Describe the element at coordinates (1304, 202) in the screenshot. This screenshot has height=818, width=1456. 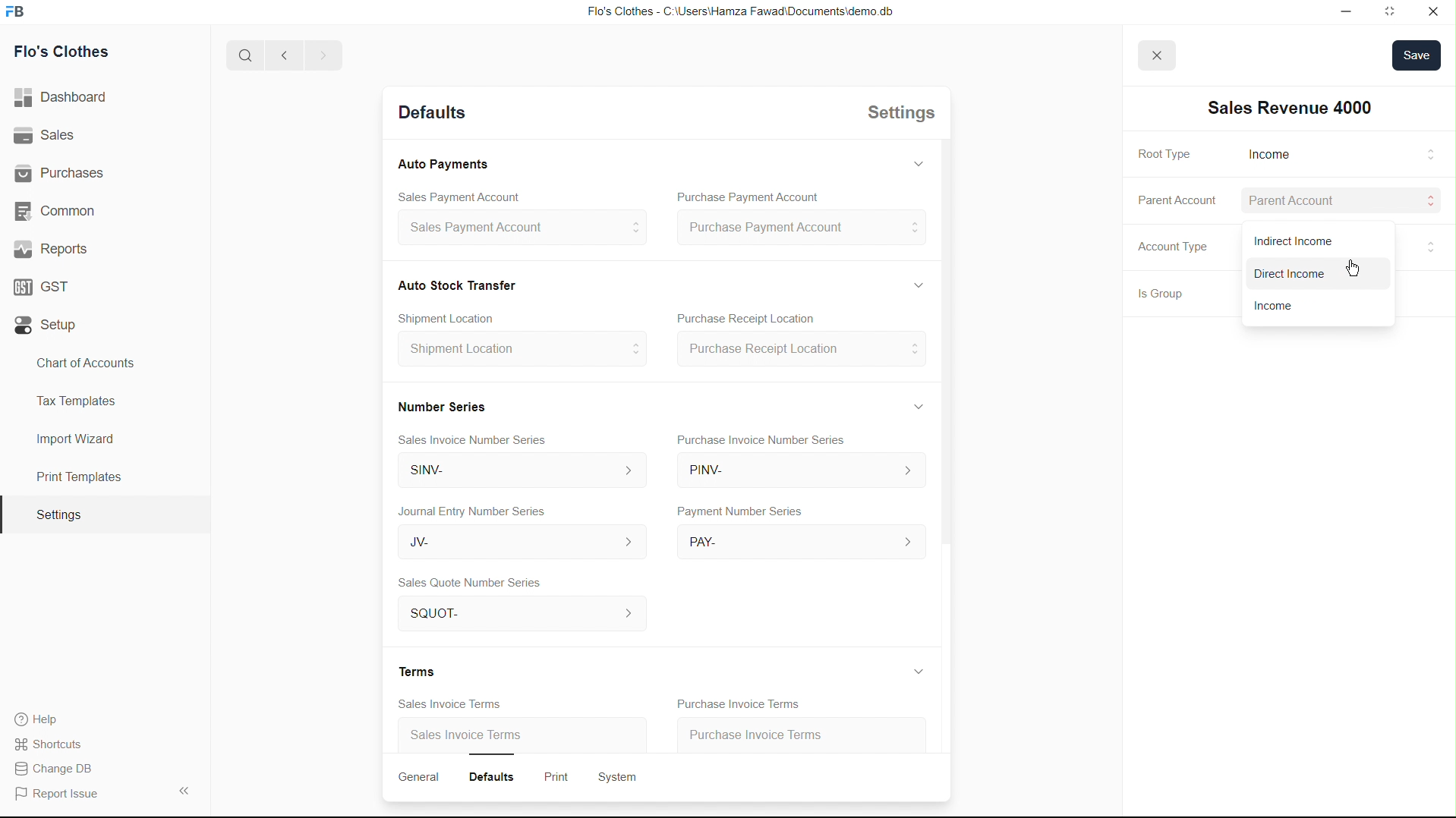
I see `Parent Account` at that location.